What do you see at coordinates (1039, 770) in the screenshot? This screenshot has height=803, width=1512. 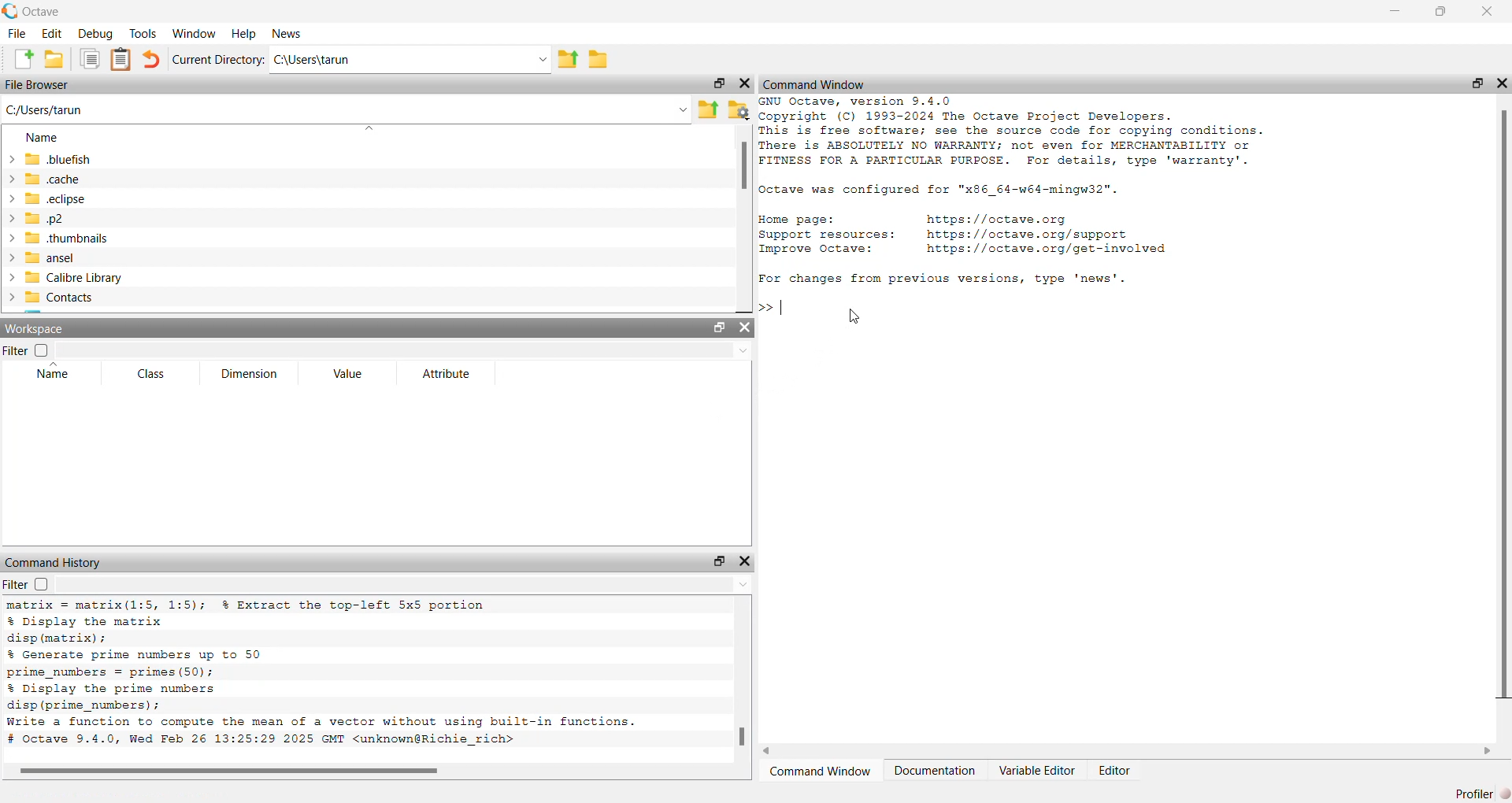 I see `Variable Editor` at bounding box center [1039, 770].